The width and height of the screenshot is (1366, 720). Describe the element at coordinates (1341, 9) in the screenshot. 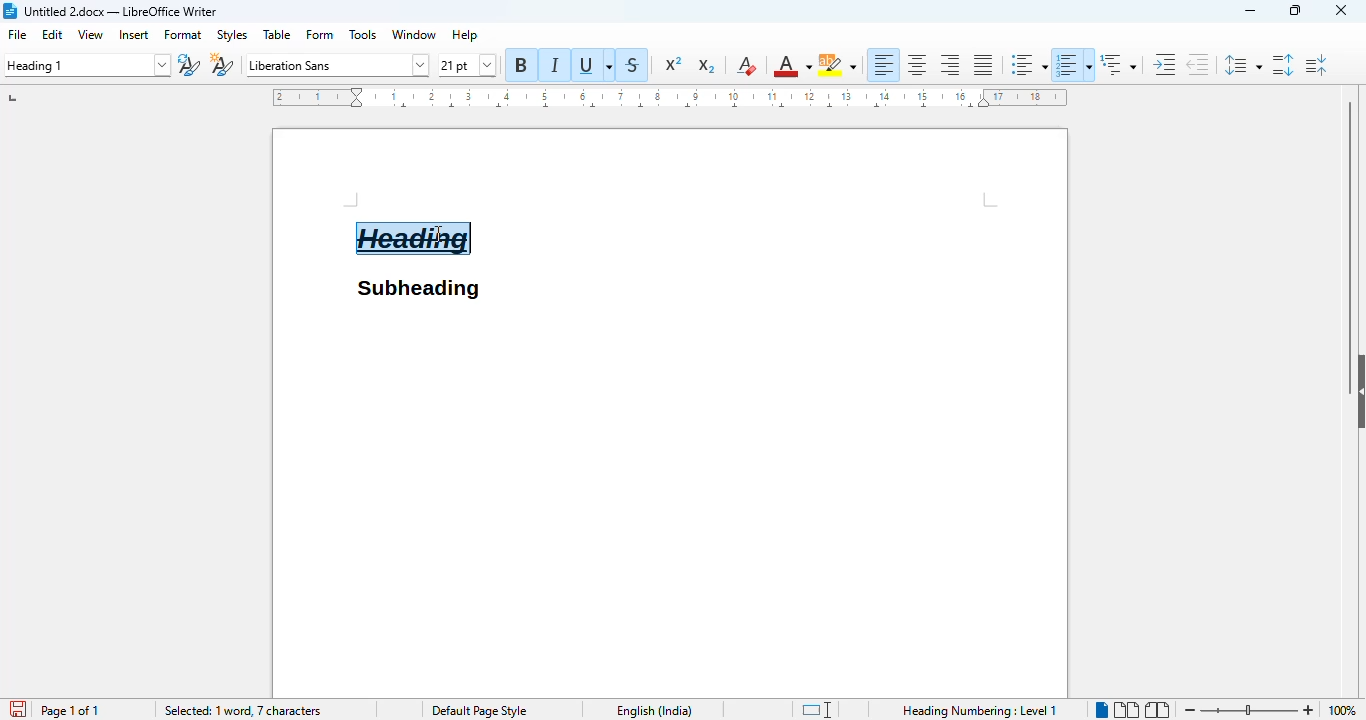

I see `close` at that location.